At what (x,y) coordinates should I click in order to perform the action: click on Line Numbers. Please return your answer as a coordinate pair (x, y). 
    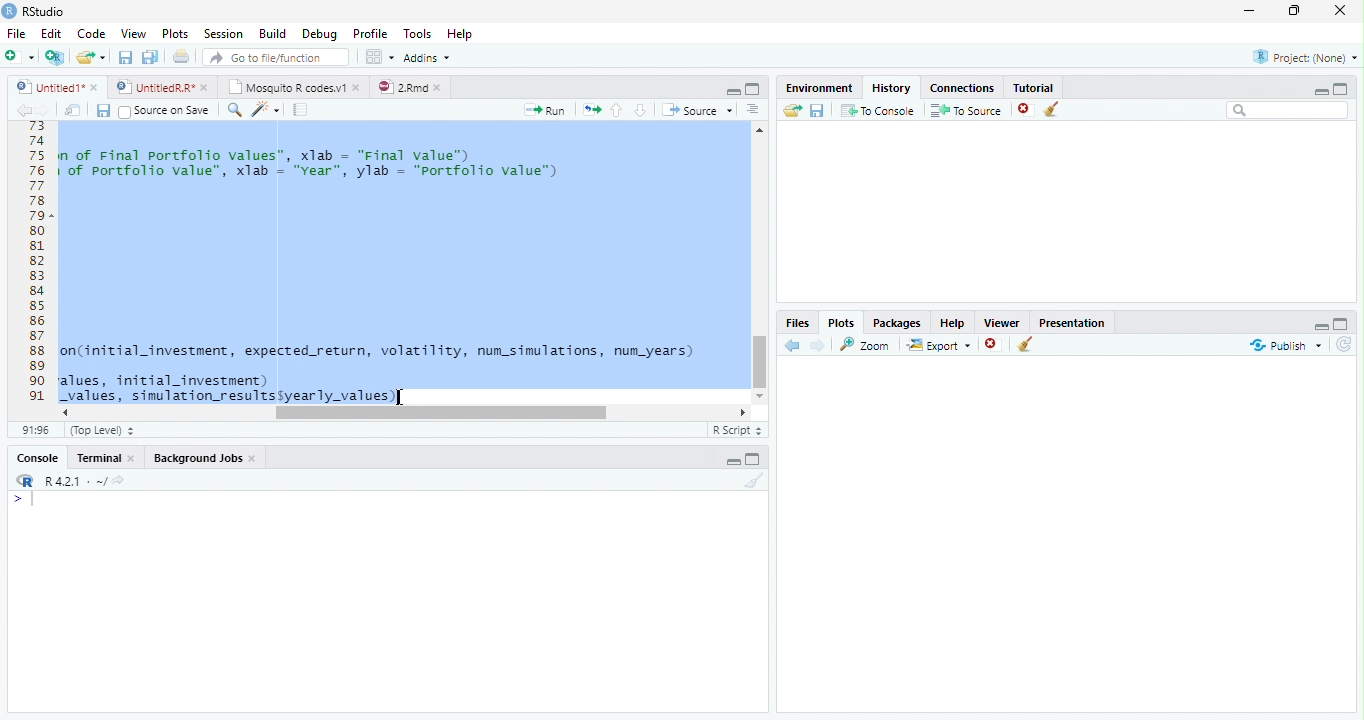
    Looking at the image, I should click on (35, 270).